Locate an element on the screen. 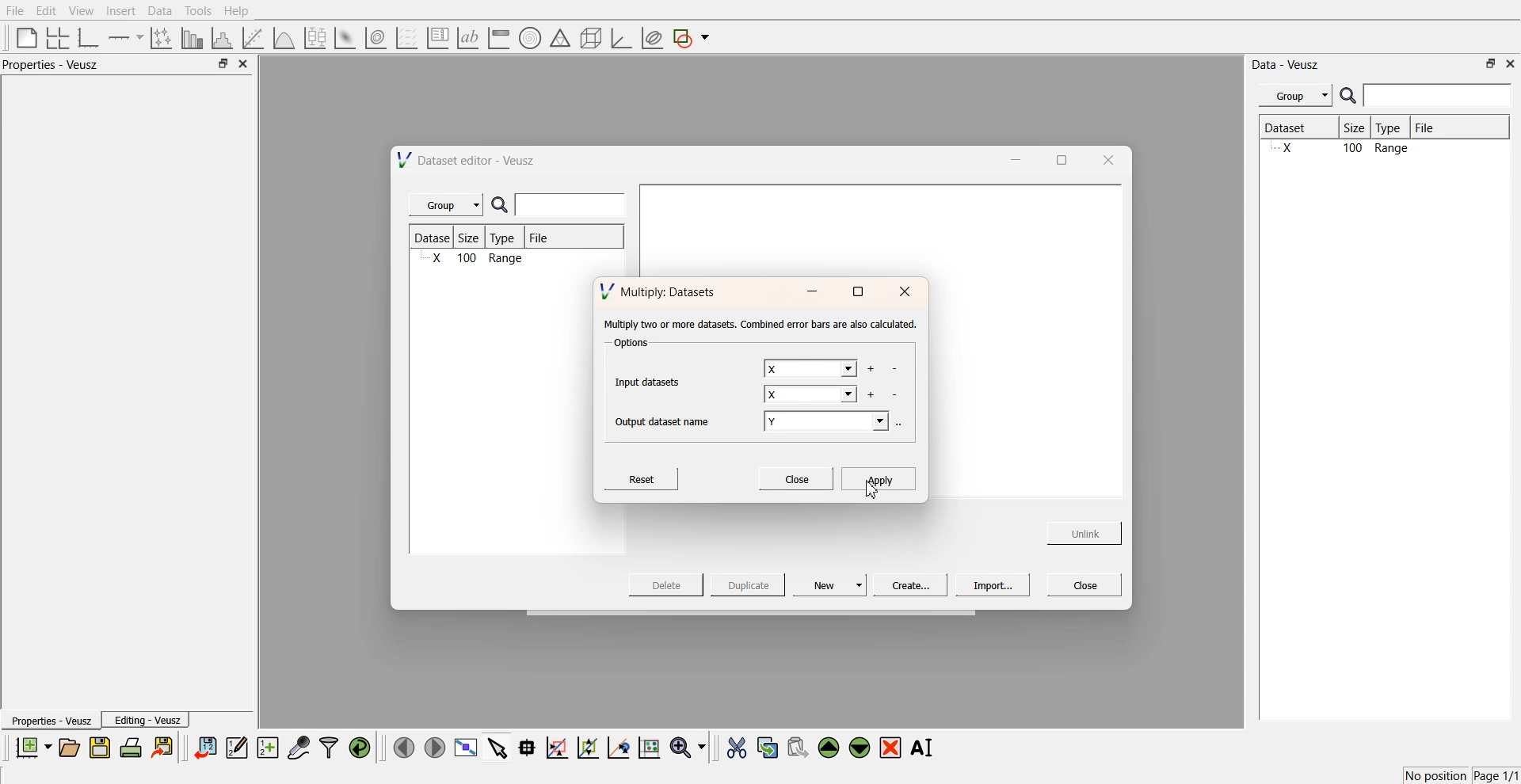 This screenshot has width=1521, height=784. select items is located at coordinates (497, 747).